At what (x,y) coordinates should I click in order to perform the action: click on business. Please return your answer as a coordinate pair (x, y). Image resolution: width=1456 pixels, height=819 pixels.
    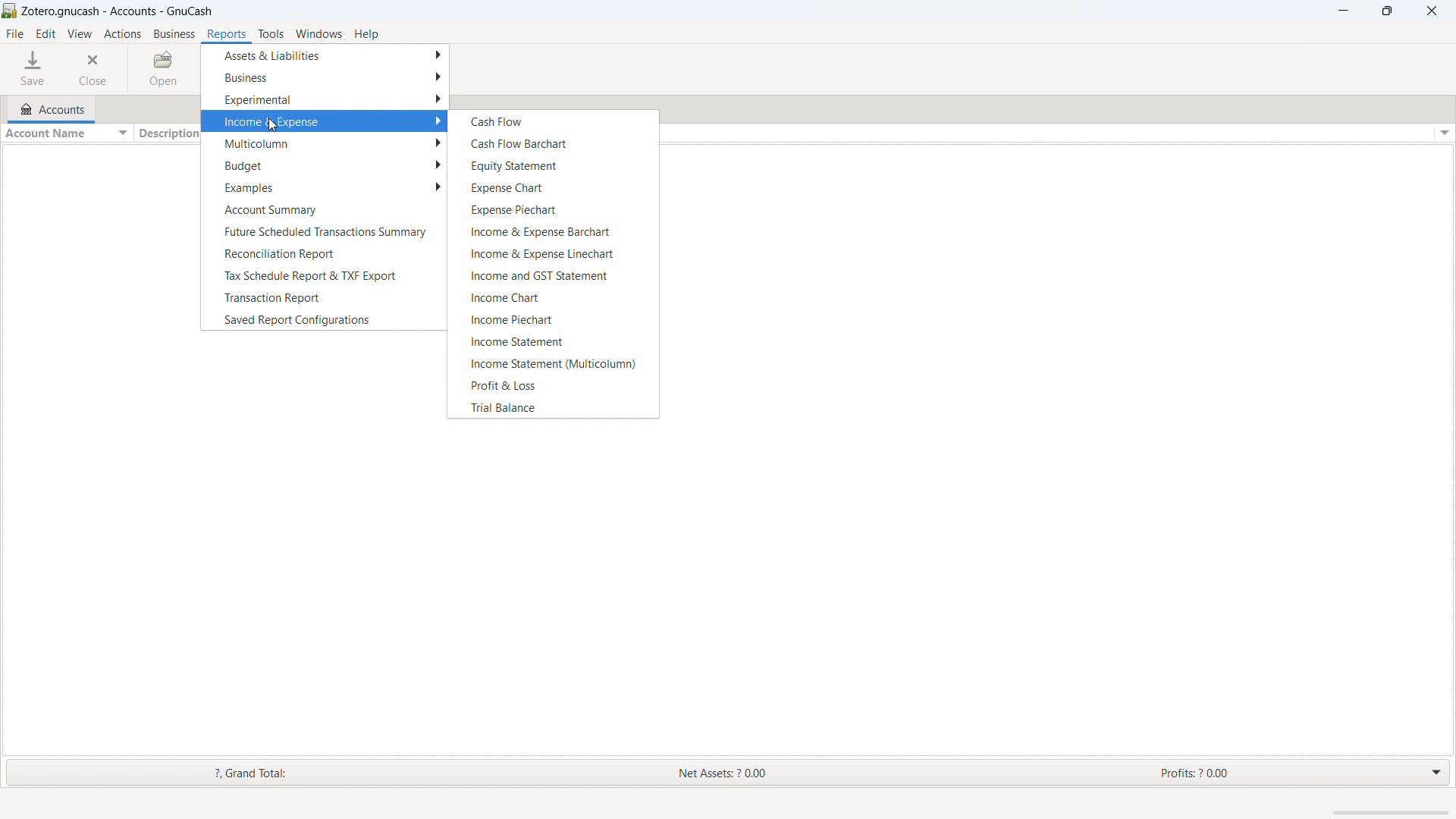
    Looking at the image, I should click on (325, 76).